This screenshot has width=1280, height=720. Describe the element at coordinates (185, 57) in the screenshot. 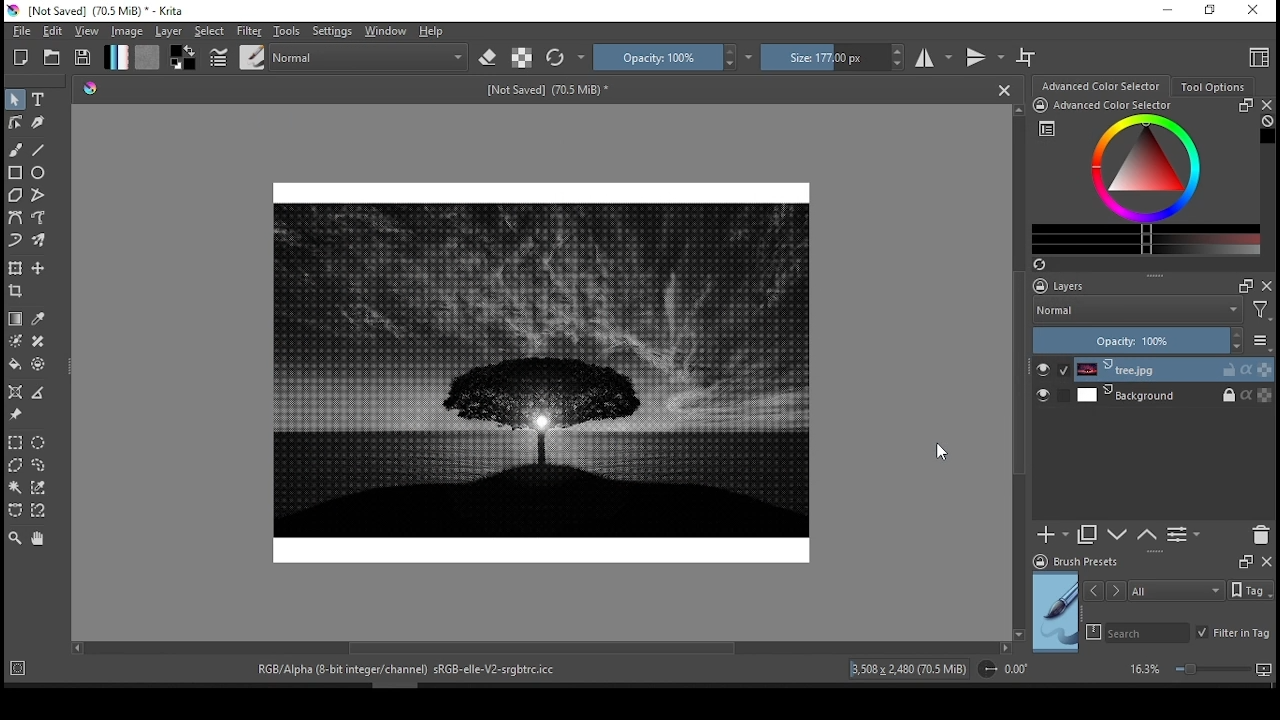

I see `colors` at that location.